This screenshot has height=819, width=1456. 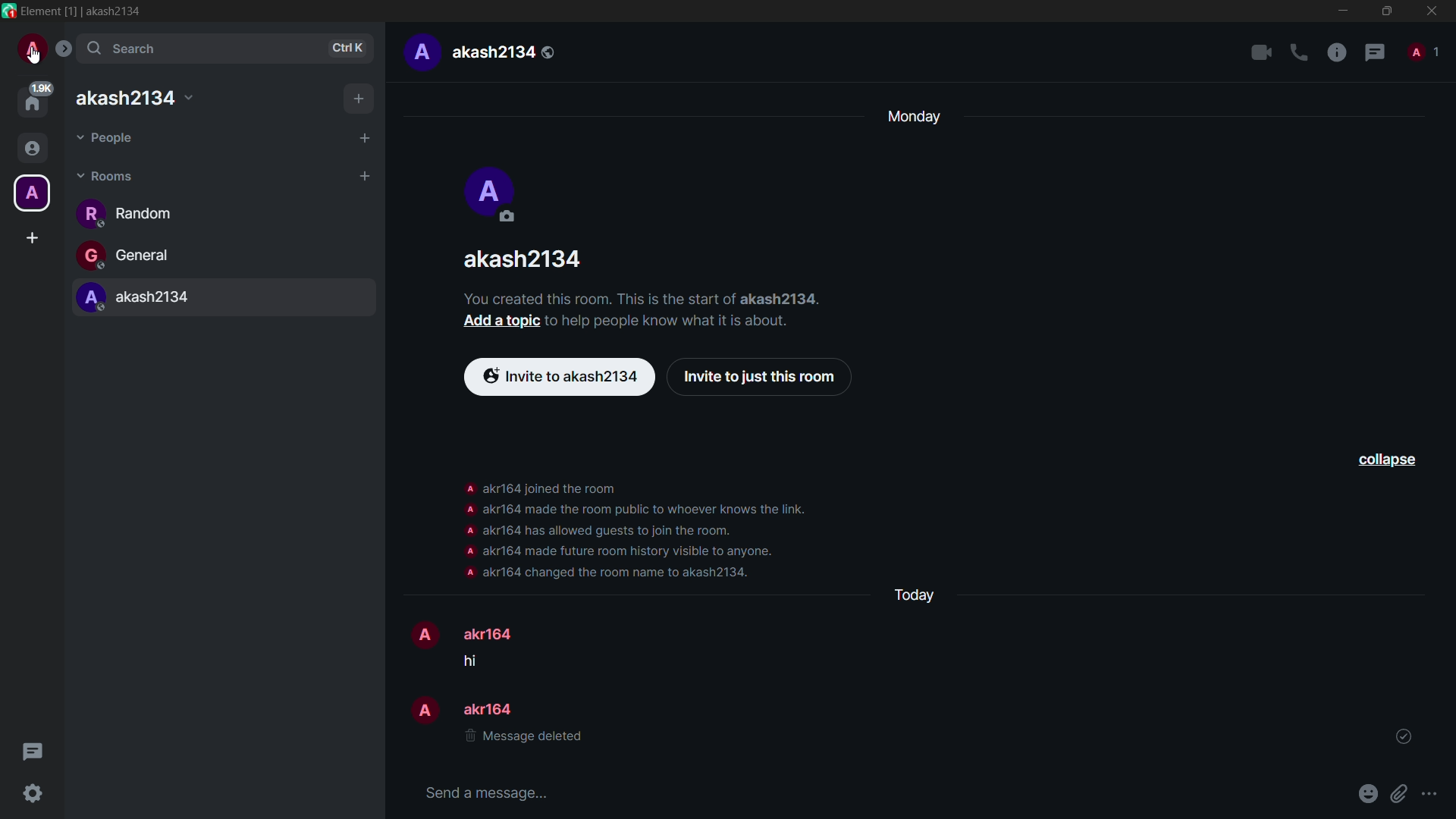 What do you see at coordinates (422, 633) in the screenshot?
I see `profile` at bounding box center [422, 633].